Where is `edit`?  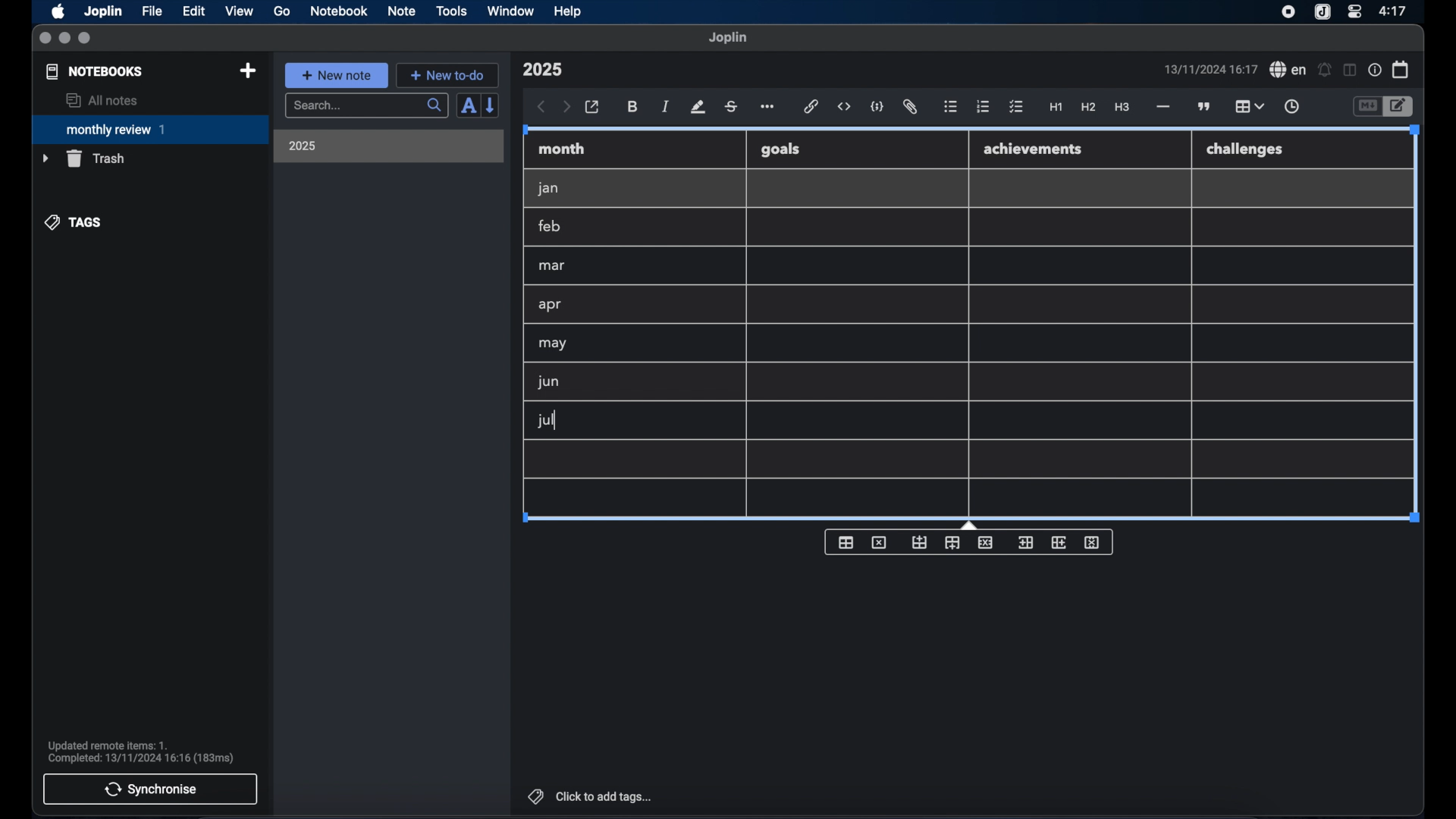
edit is located at coordinates (195, 11).